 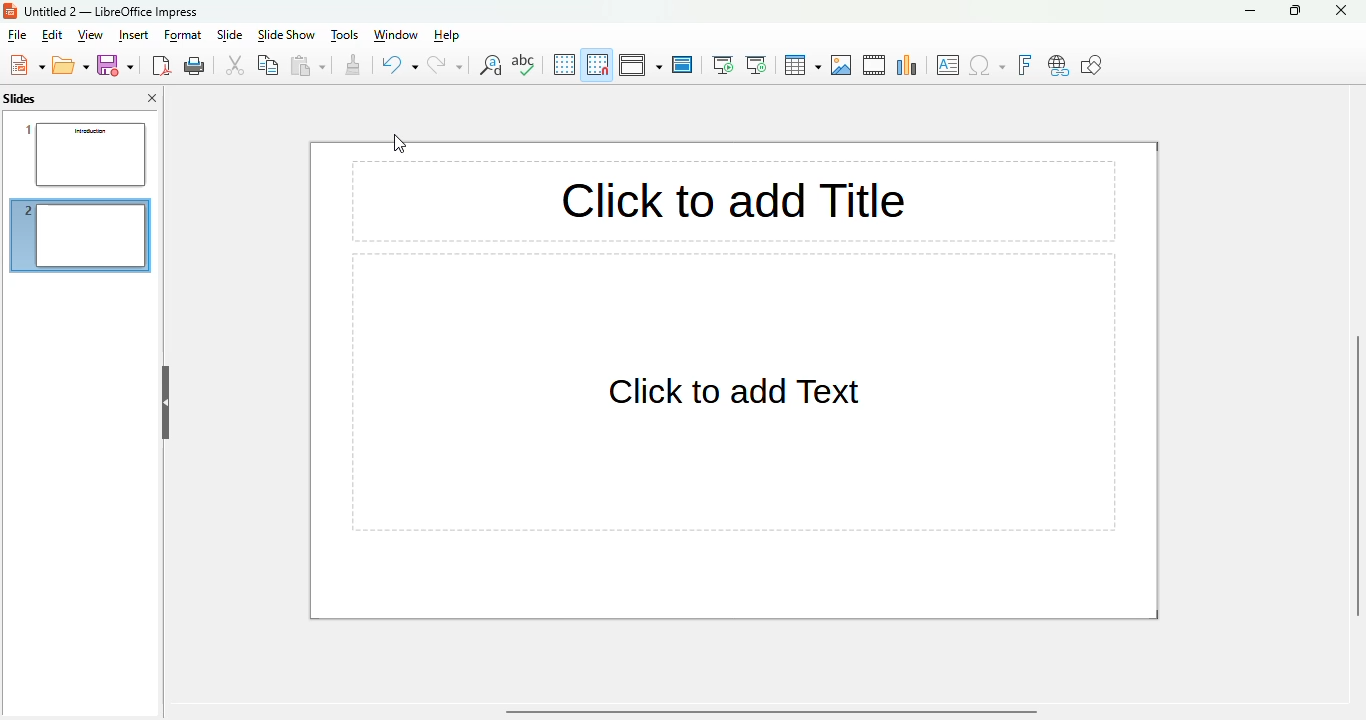 I want to click on cursor, so click(x=400, y=143).